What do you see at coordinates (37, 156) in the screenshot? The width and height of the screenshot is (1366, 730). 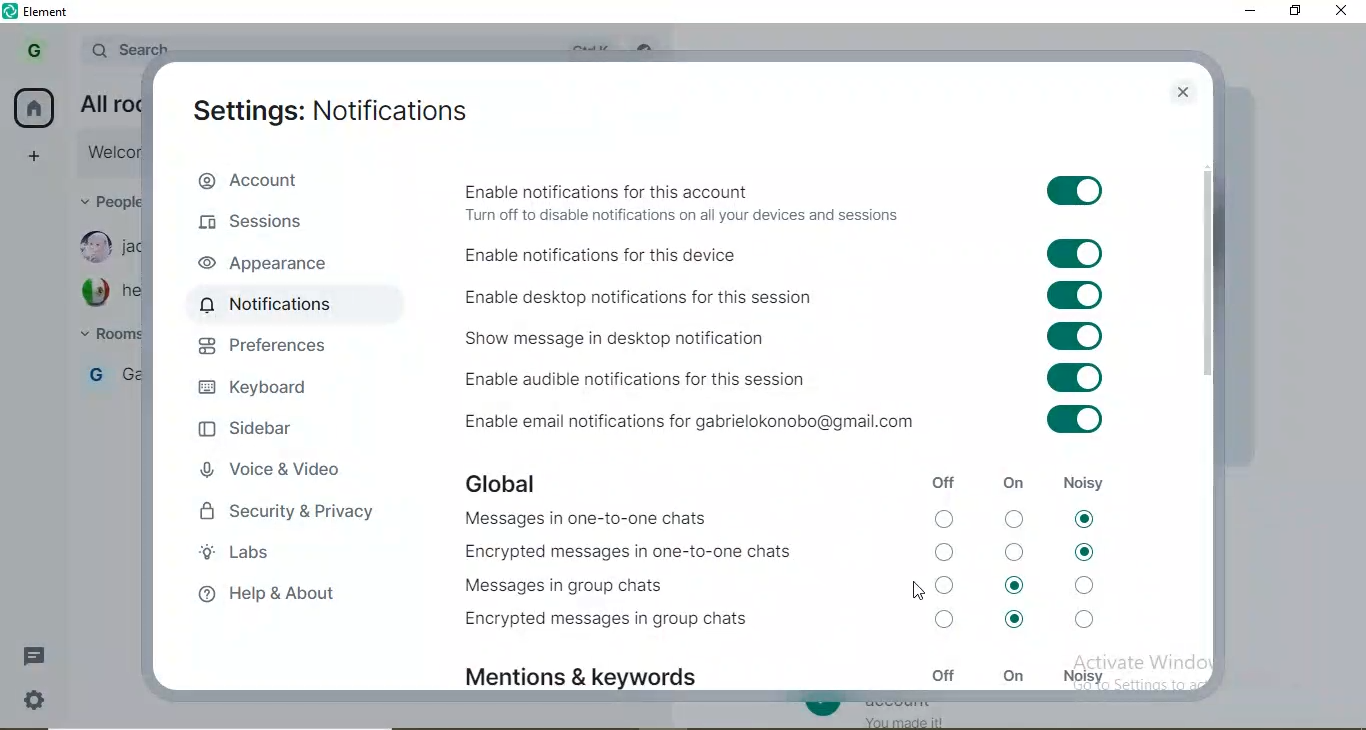 I see `add space` at bounding box center [37, 156].